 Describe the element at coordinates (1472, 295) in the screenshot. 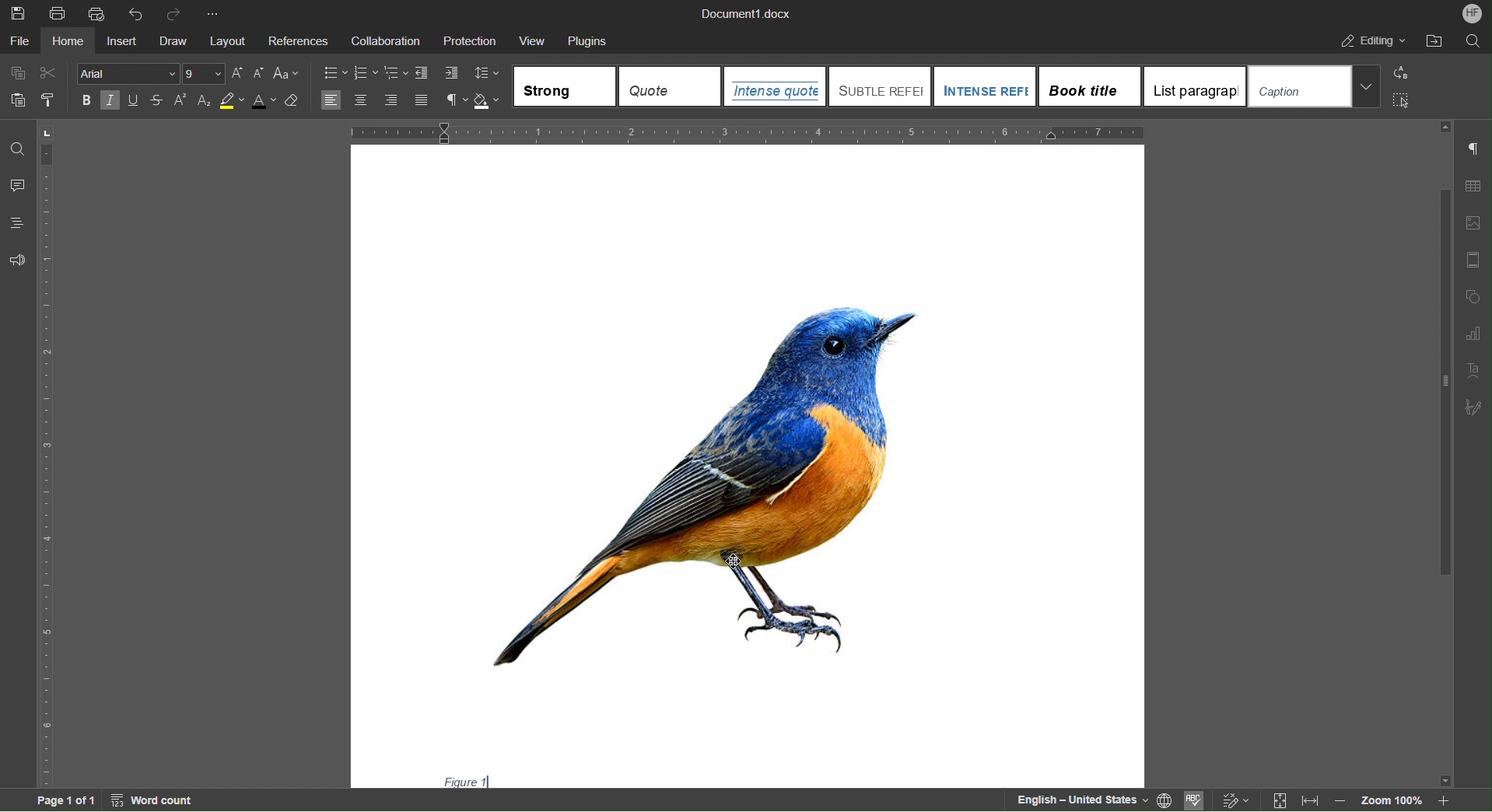

I see `Shape Settings` at that location.